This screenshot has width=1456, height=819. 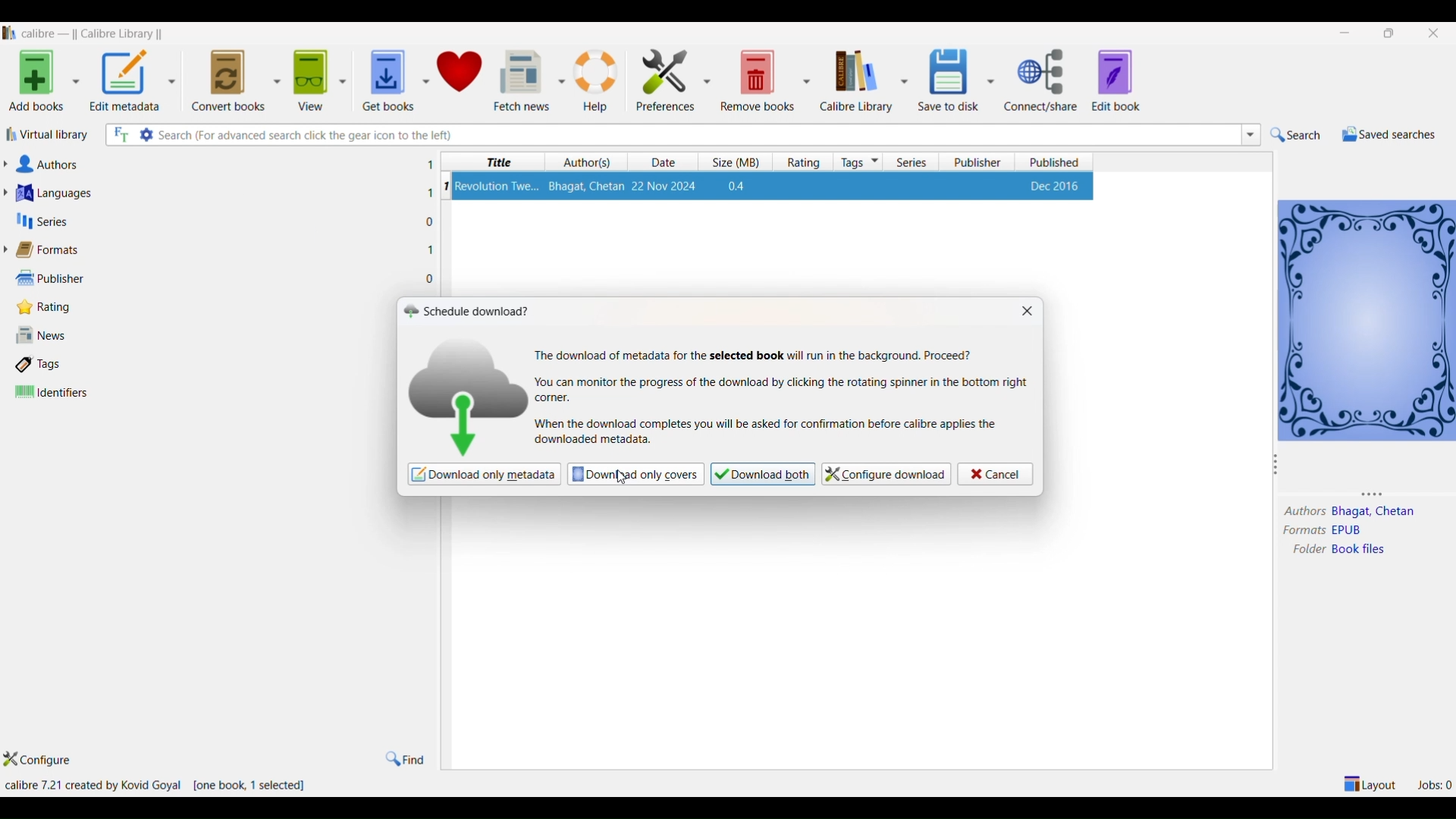 What do you see at coordinates (52, 278) in the screenshot?
I see `publisher and number of publishers` at bounding box center [52, 278].